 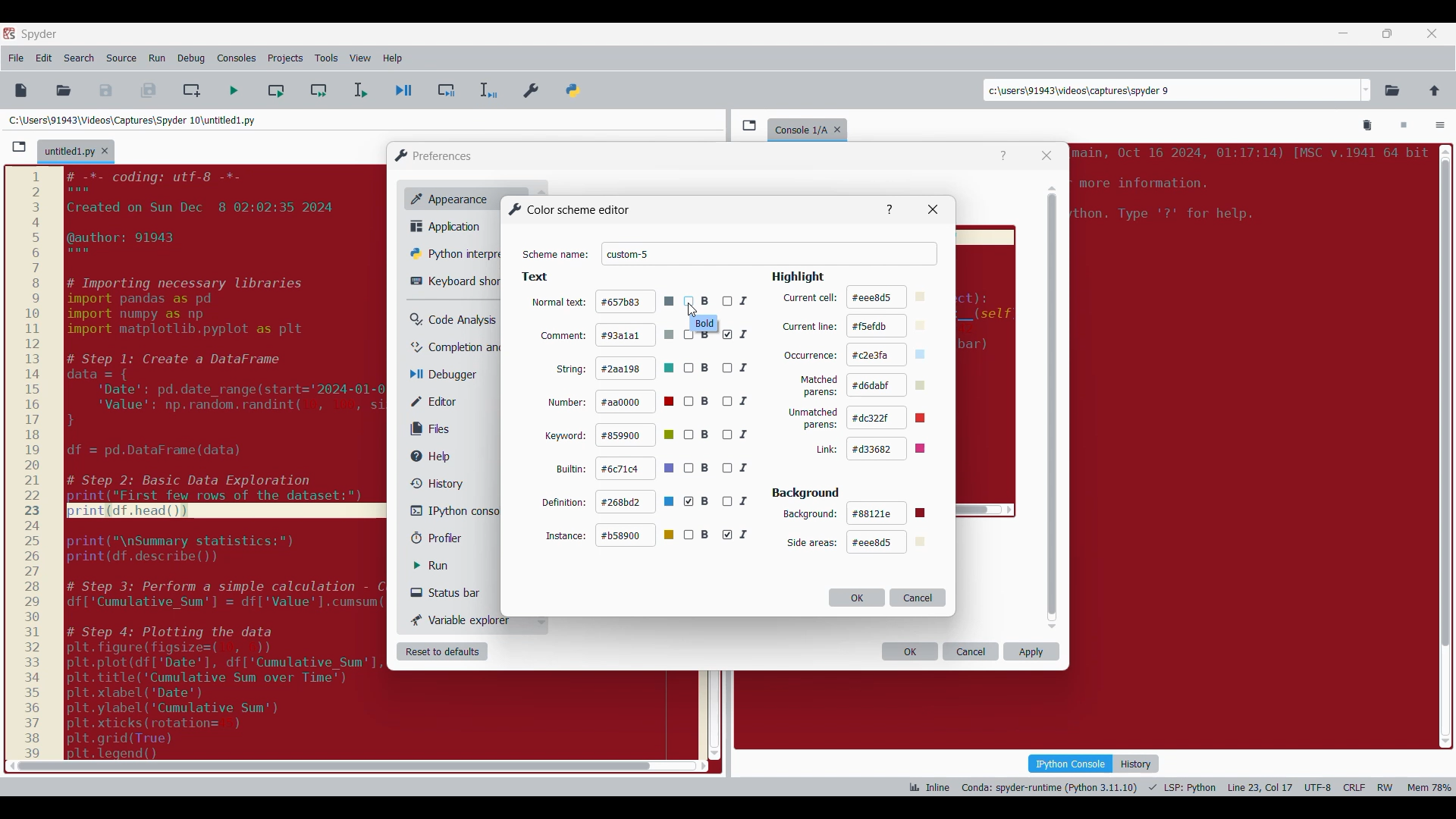 What do you see at coordinates (738, 402) in the screenshot?
I see `I` at bounding box center [738, 402].